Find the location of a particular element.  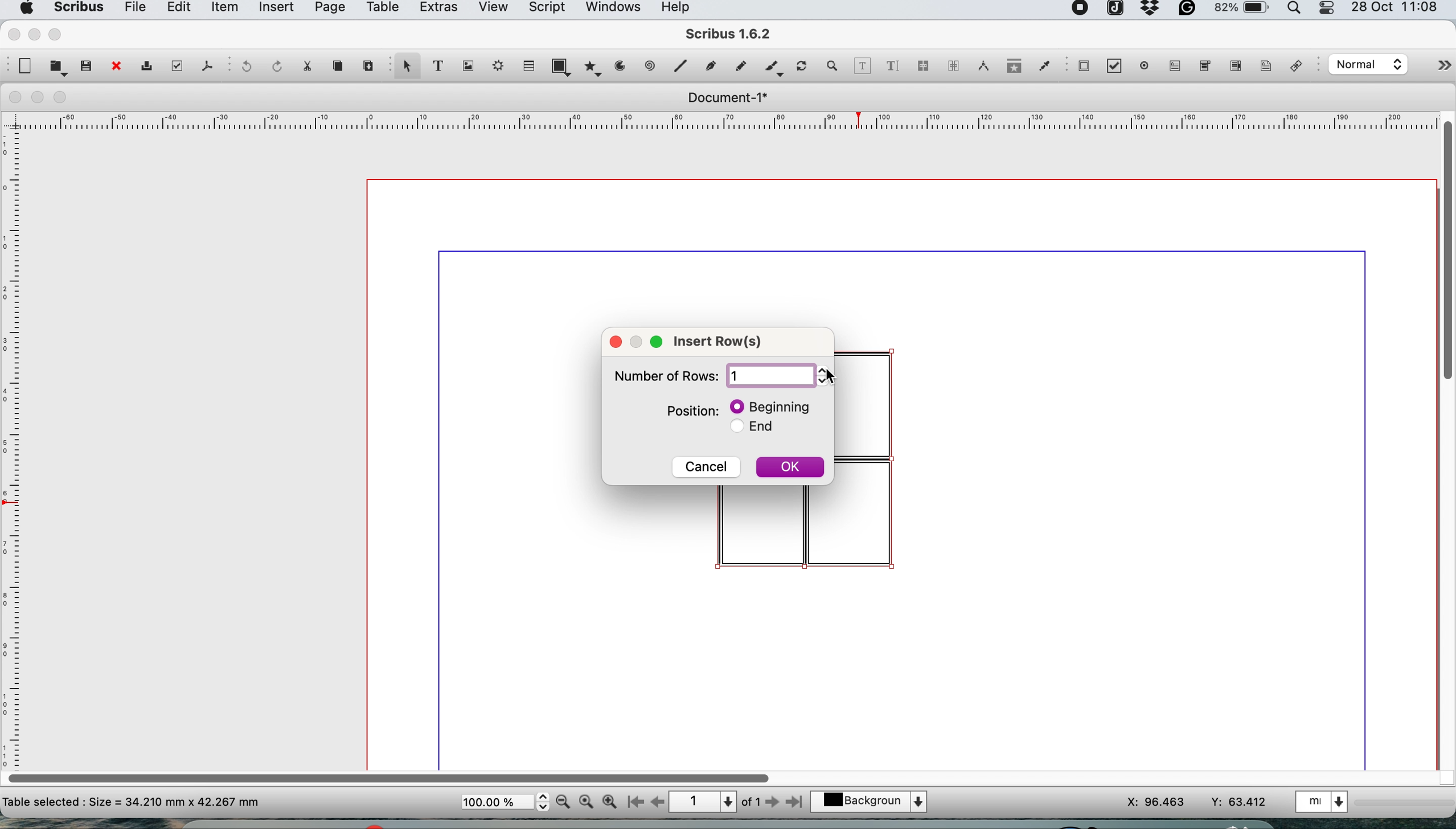

windows is located at coordinates (612, 10).